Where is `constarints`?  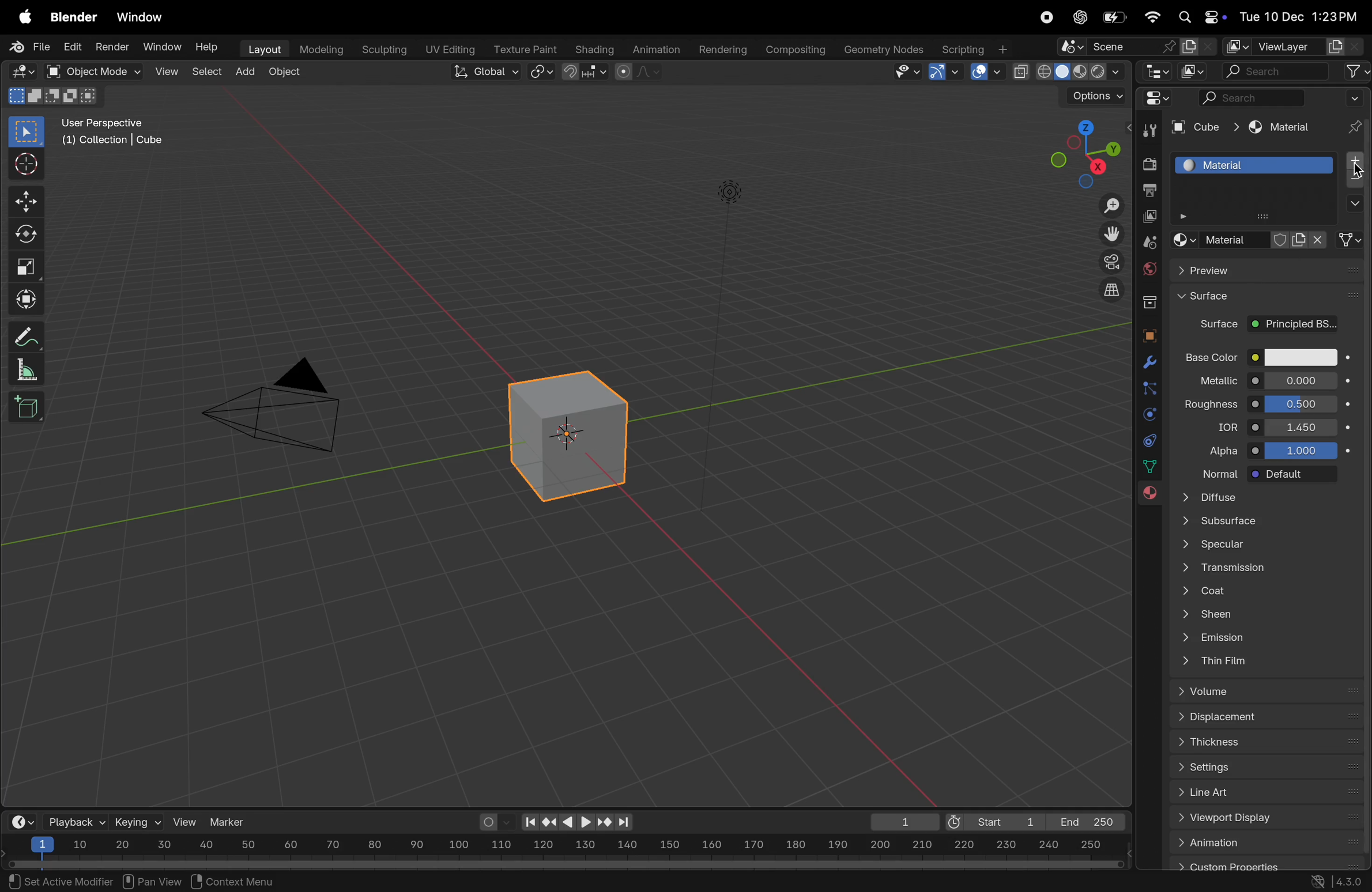
constarints is located at coordinates (1149, 443).